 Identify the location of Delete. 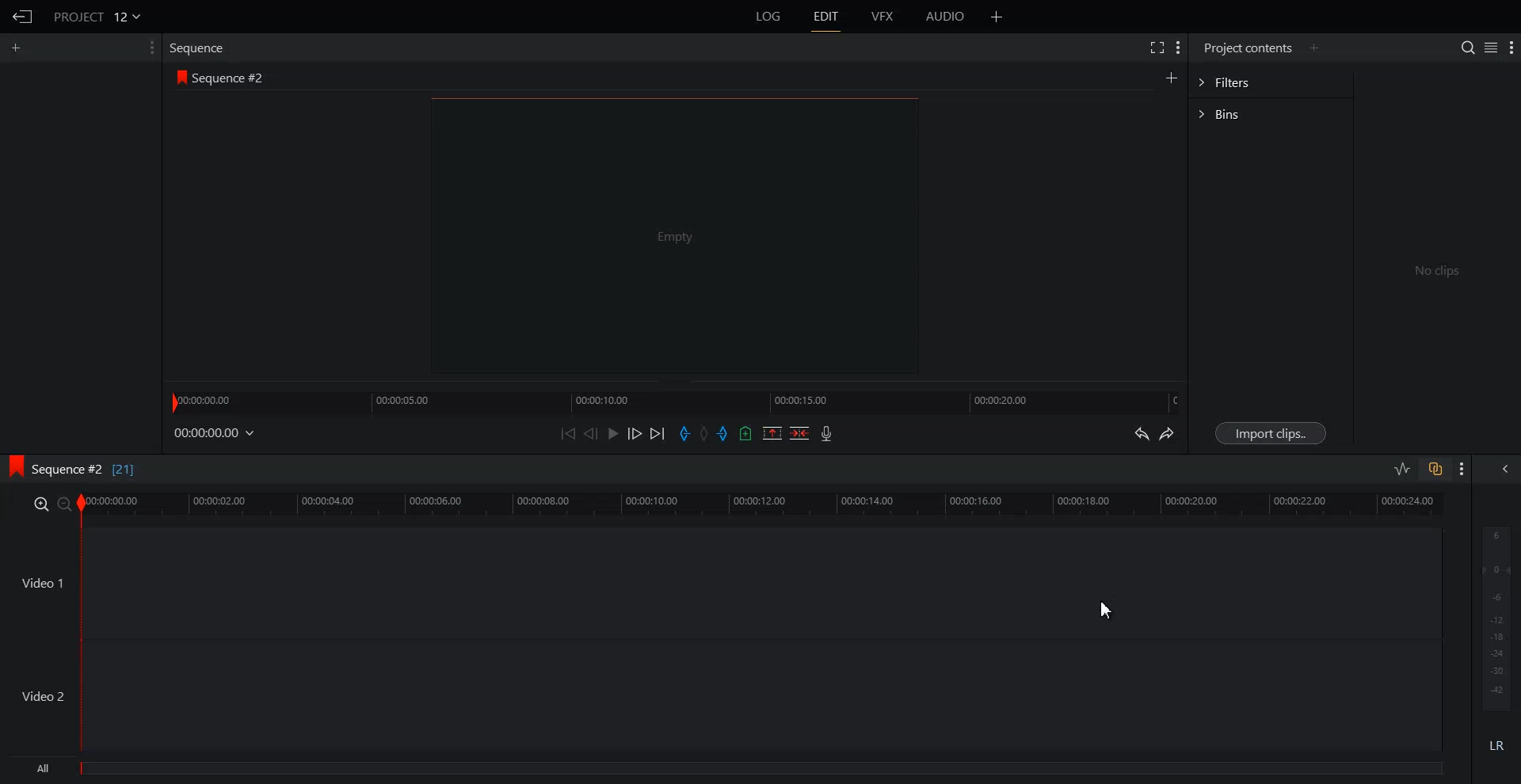
(799, 432).